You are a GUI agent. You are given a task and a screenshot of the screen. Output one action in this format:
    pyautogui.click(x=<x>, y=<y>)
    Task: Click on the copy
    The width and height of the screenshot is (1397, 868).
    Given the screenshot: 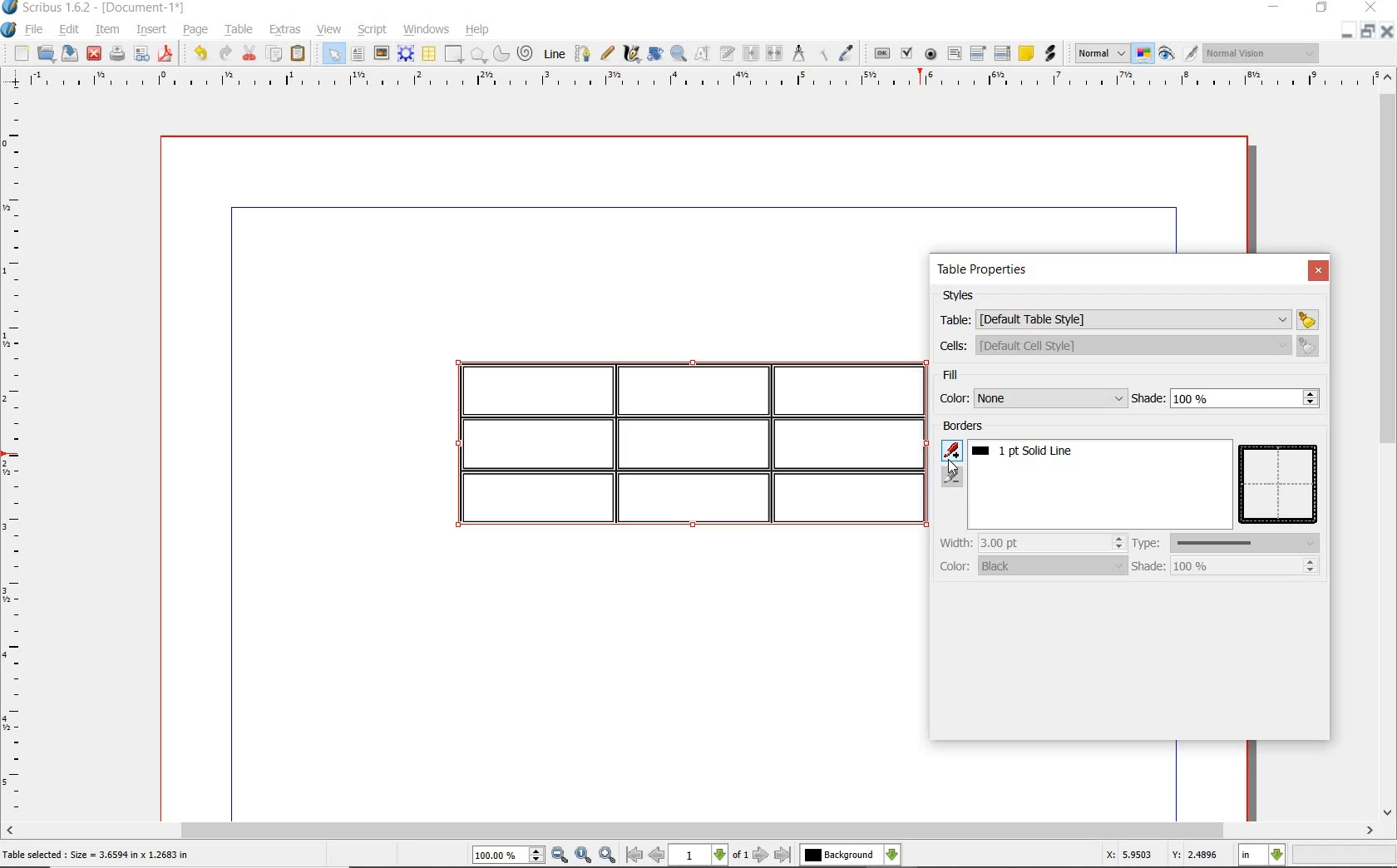 What is the action you would take?
    pyautogui.click(x=274, y=56)
    